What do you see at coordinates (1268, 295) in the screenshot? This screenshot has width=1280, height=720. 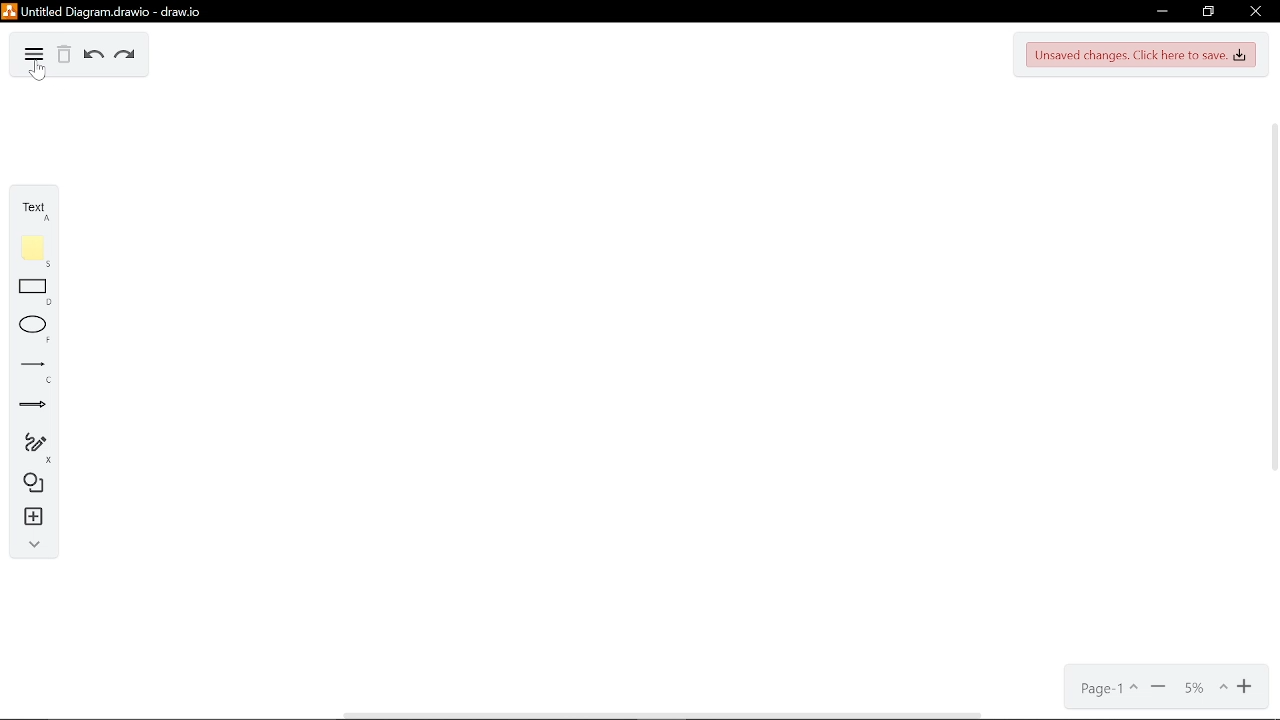 I see `vertical scrollbar` at bounding box center [1268, 295].